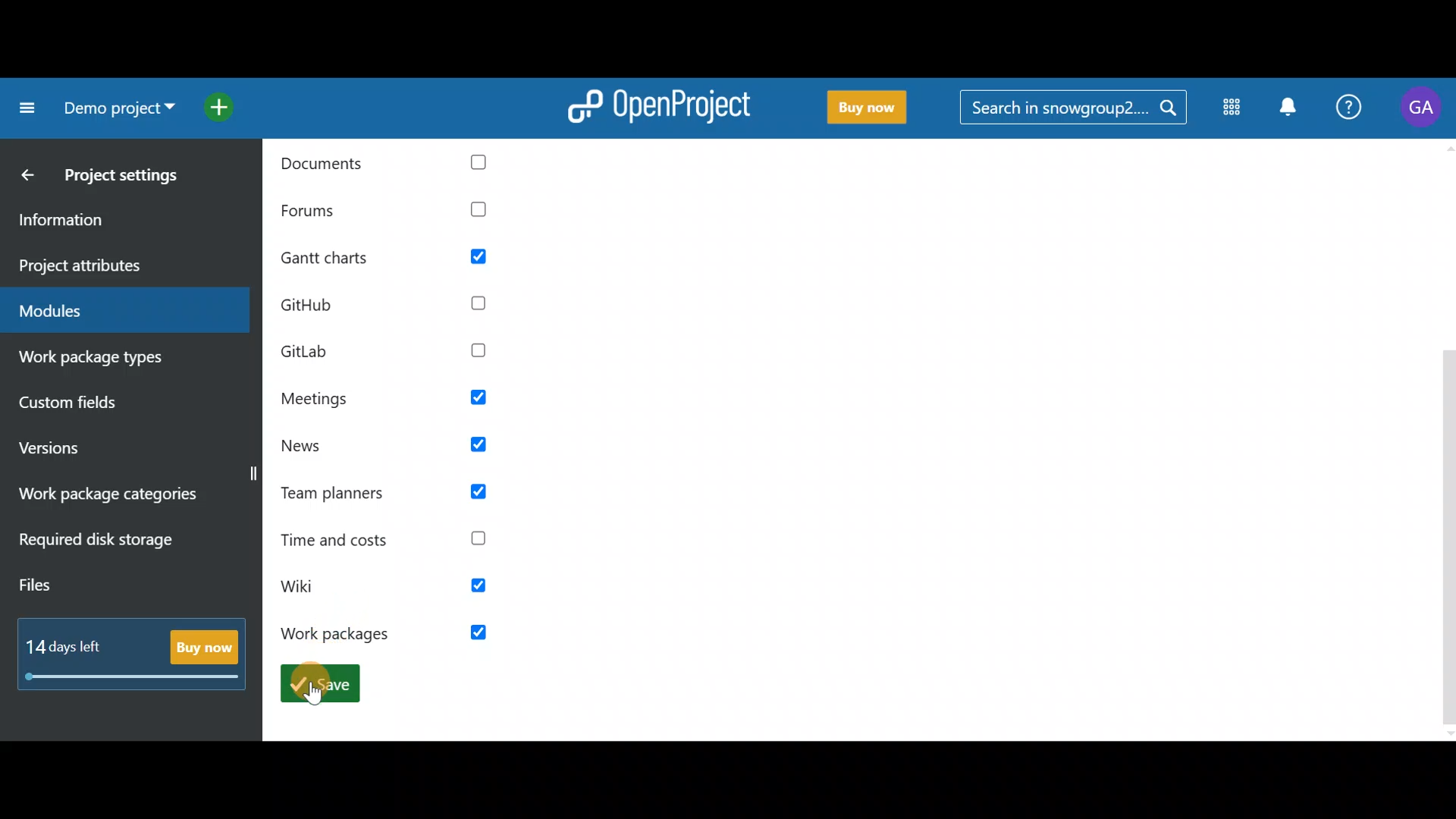 The image size is (1456, 819). I want to click on GitLab, so click(392, 350).